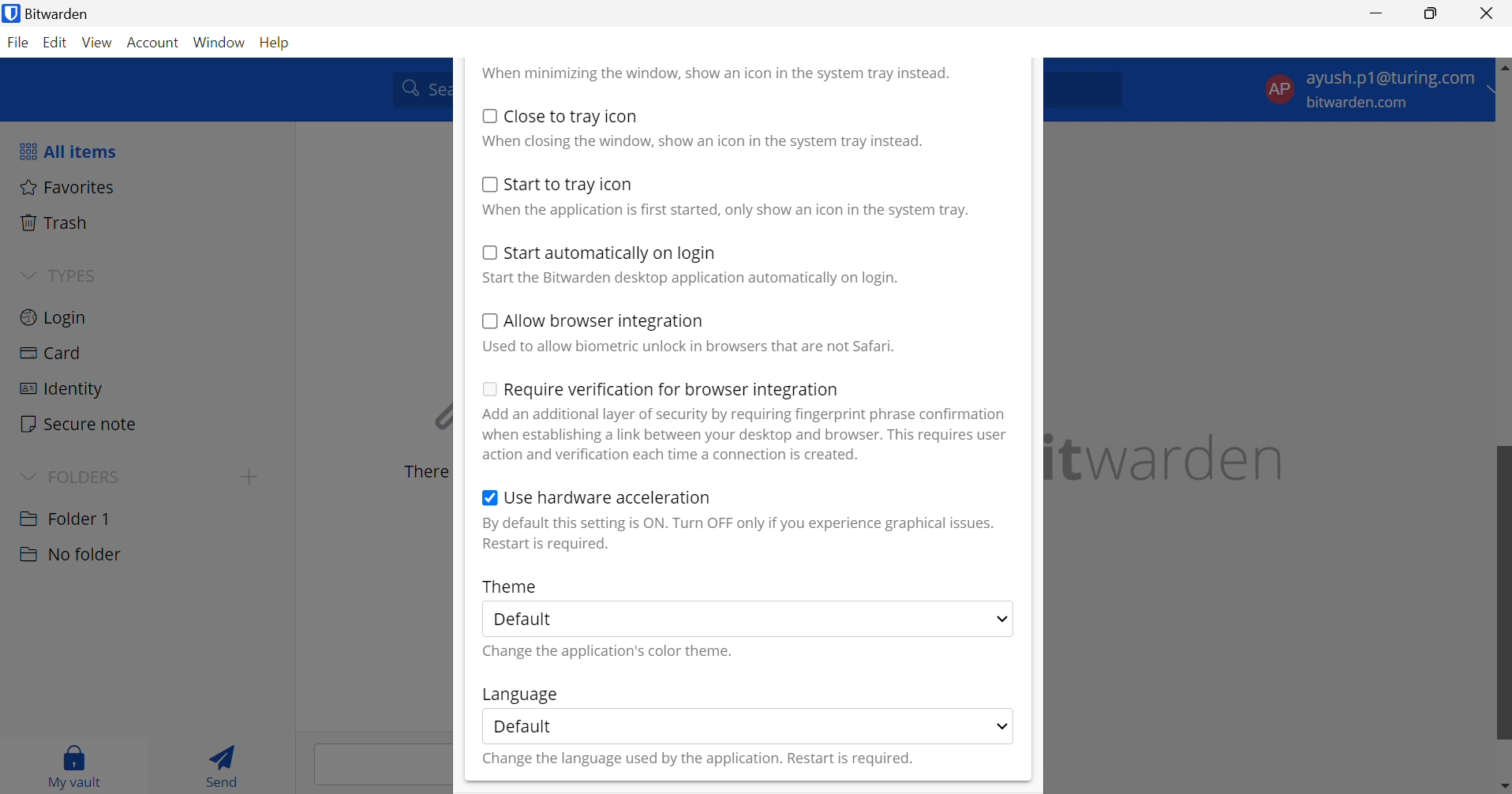 This screenshot has width=1512, height=794. I want to click on There are no items to list., so click(422, 472).